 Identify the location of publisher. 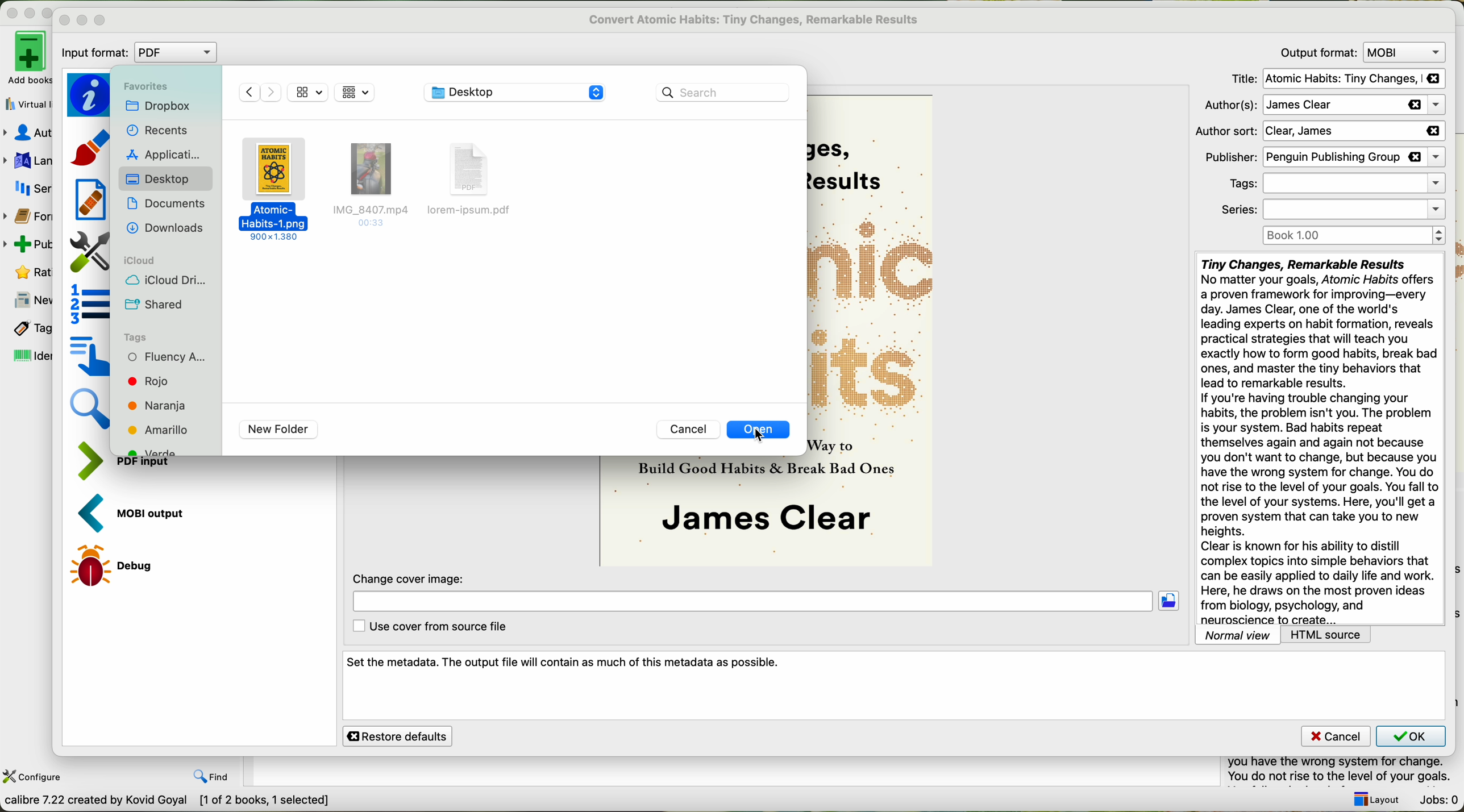
(1322, 157).